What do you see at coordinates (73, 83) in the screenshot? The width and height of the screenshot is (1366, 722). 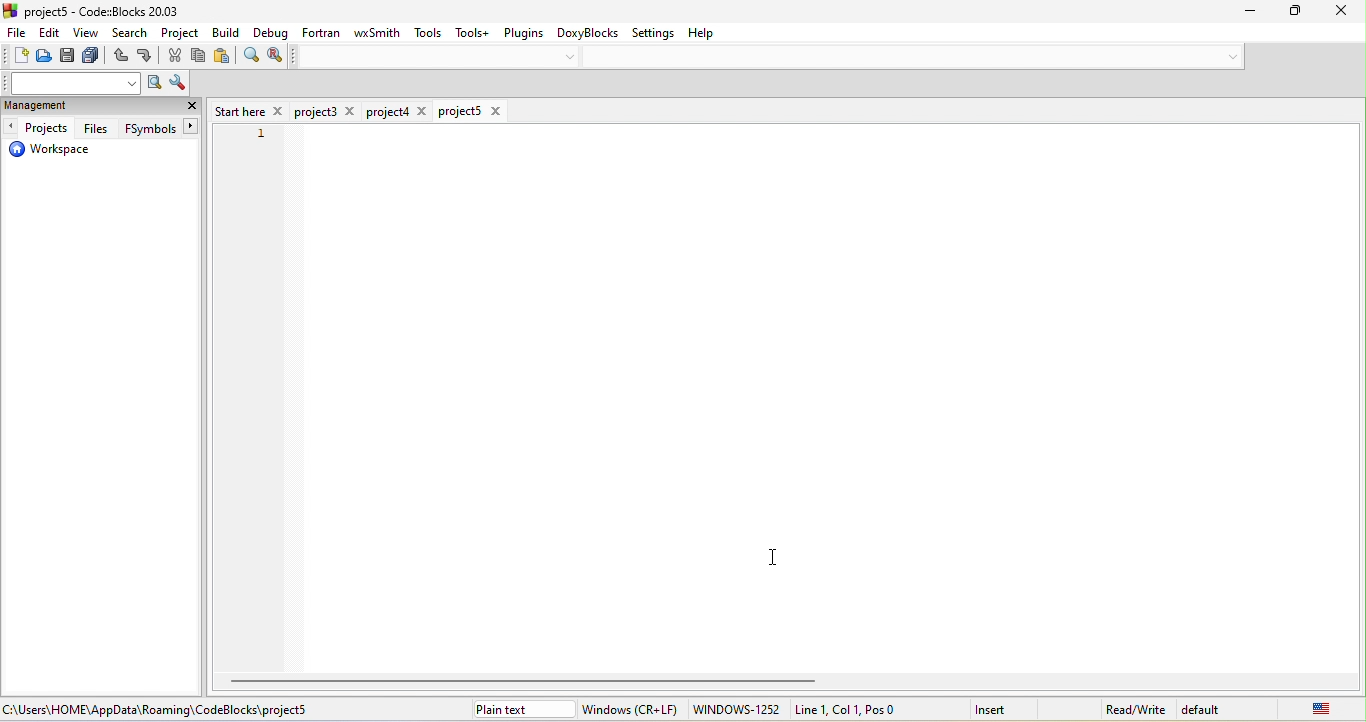 I see `text to search` at bounding box center [73, 83].